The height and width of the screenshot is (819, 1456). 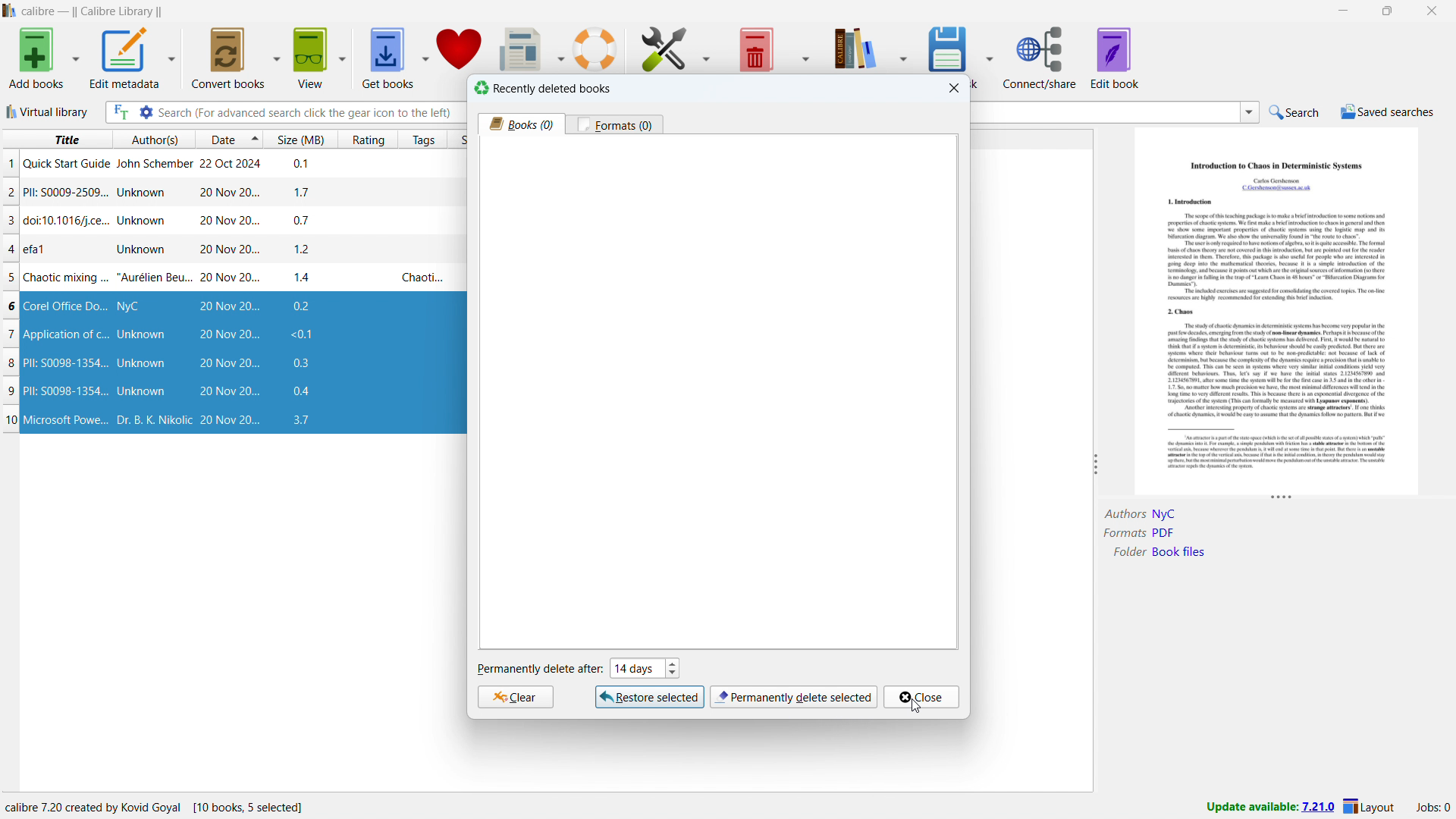 What do you see at coordinates (855, 47) in the screenshot?
I see `calibre library` at bounding box center [855, 47].